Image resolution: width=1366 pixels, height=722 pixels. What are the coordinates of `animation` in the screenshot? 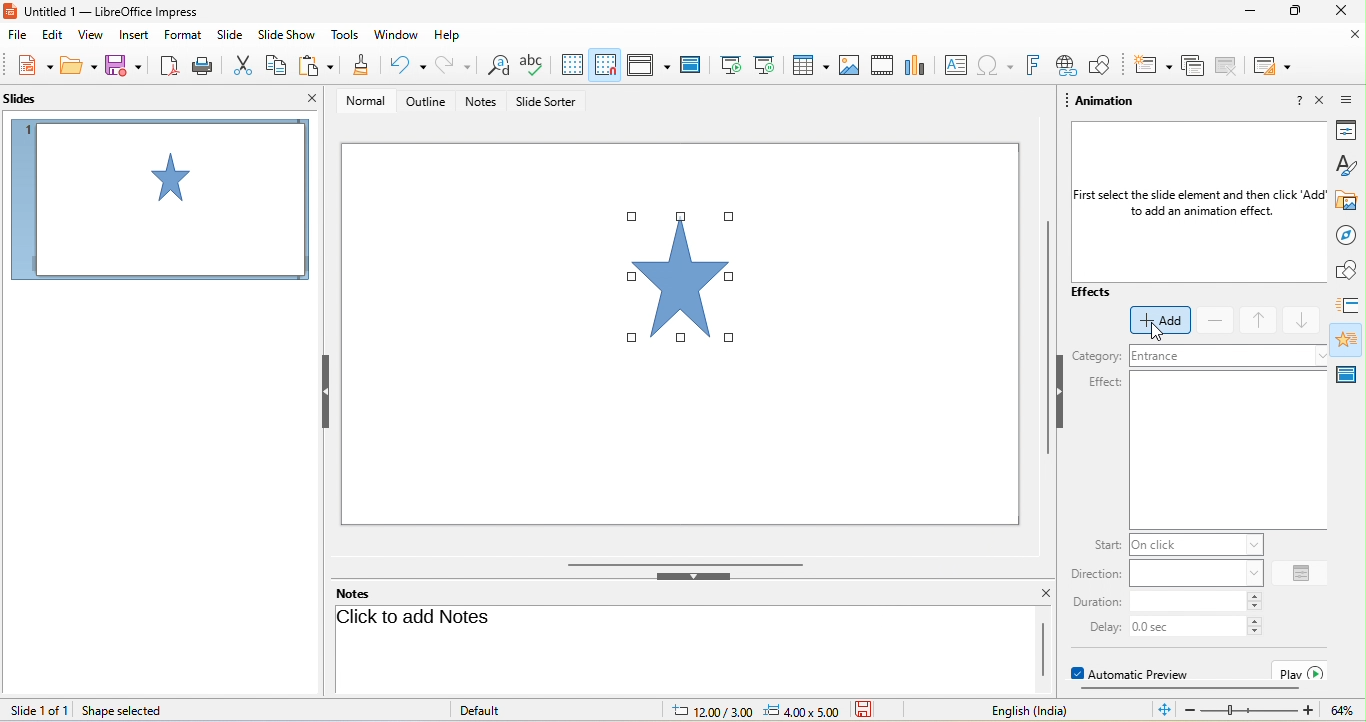 It's located at (1105, 103).